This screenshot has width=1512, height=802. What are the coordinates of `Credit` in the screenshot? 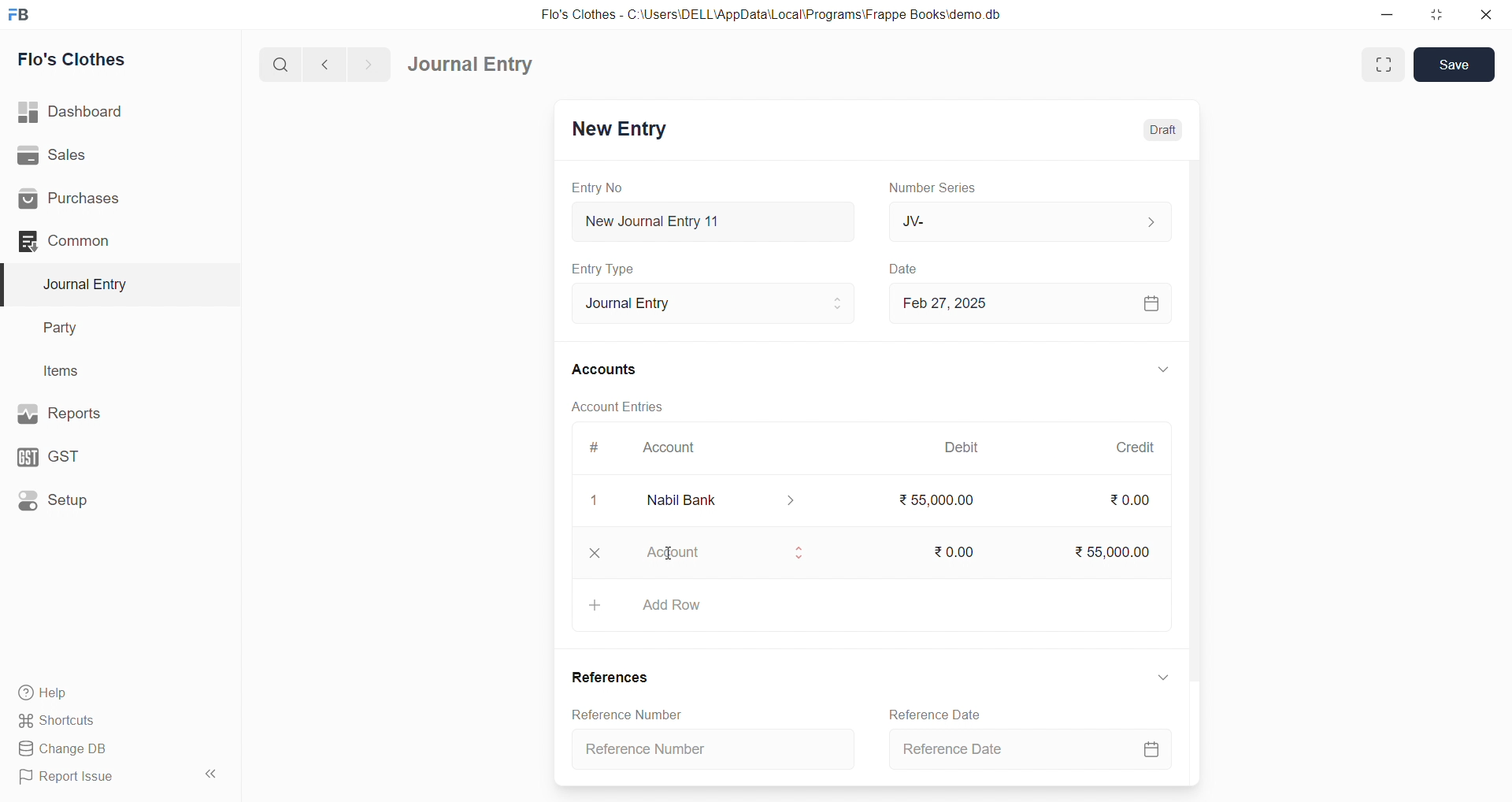 It's located at (1137, 448).